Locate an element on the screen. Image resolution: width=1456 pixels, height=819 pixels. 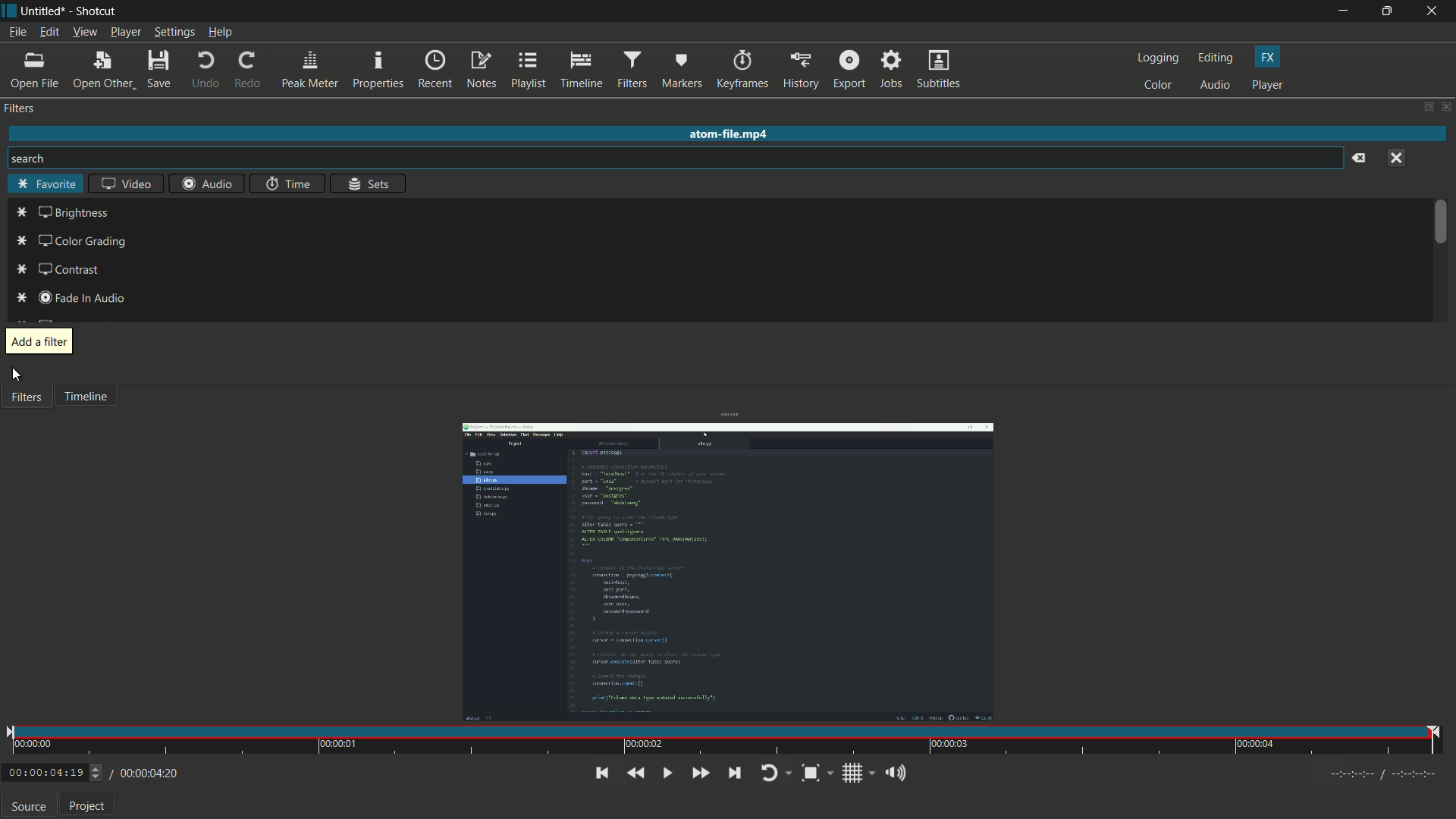
time is located at coordinates (726, 741).